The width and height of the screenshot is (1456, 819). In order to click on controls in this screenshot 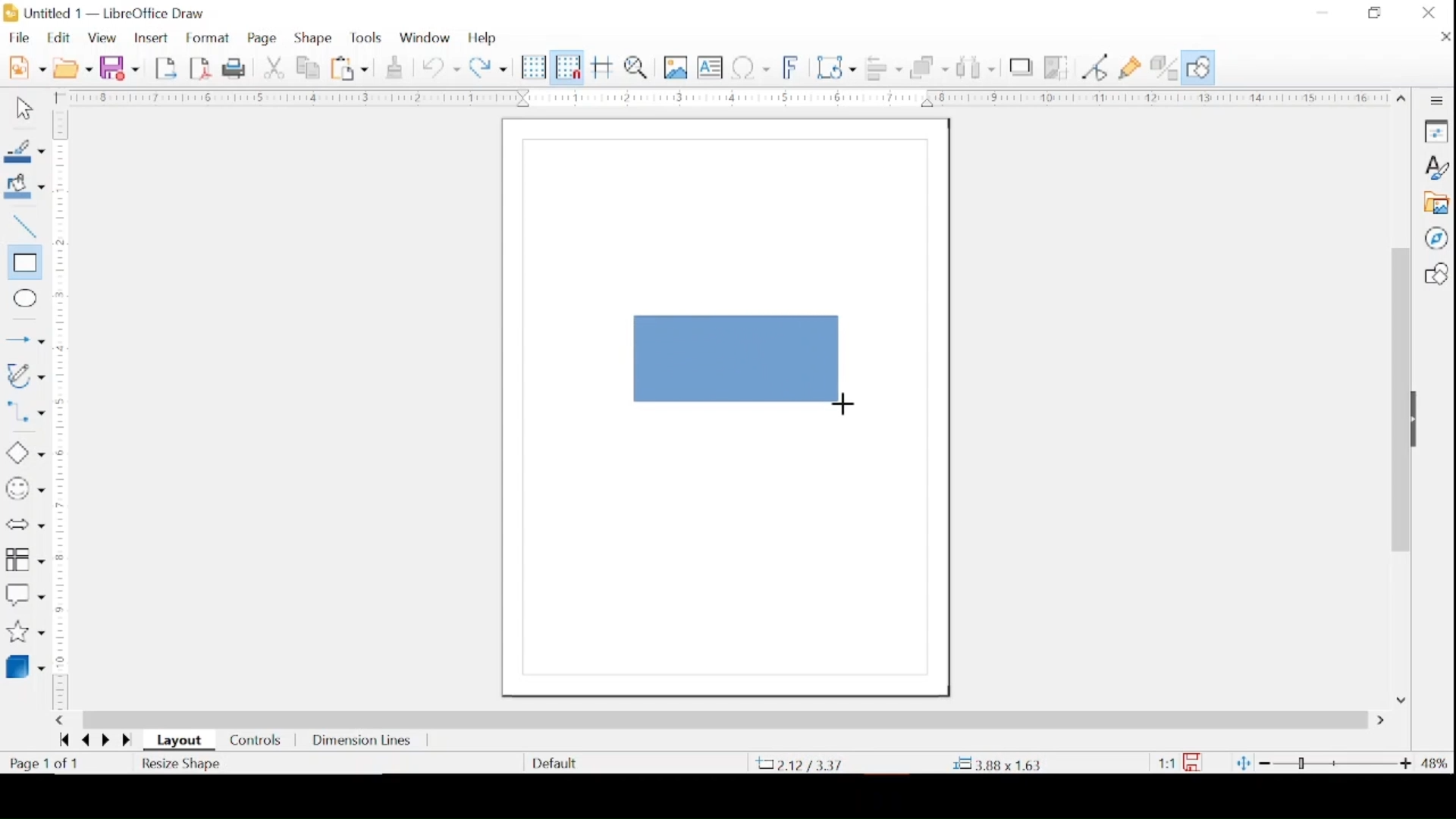, I will do `click(256, 742)`.